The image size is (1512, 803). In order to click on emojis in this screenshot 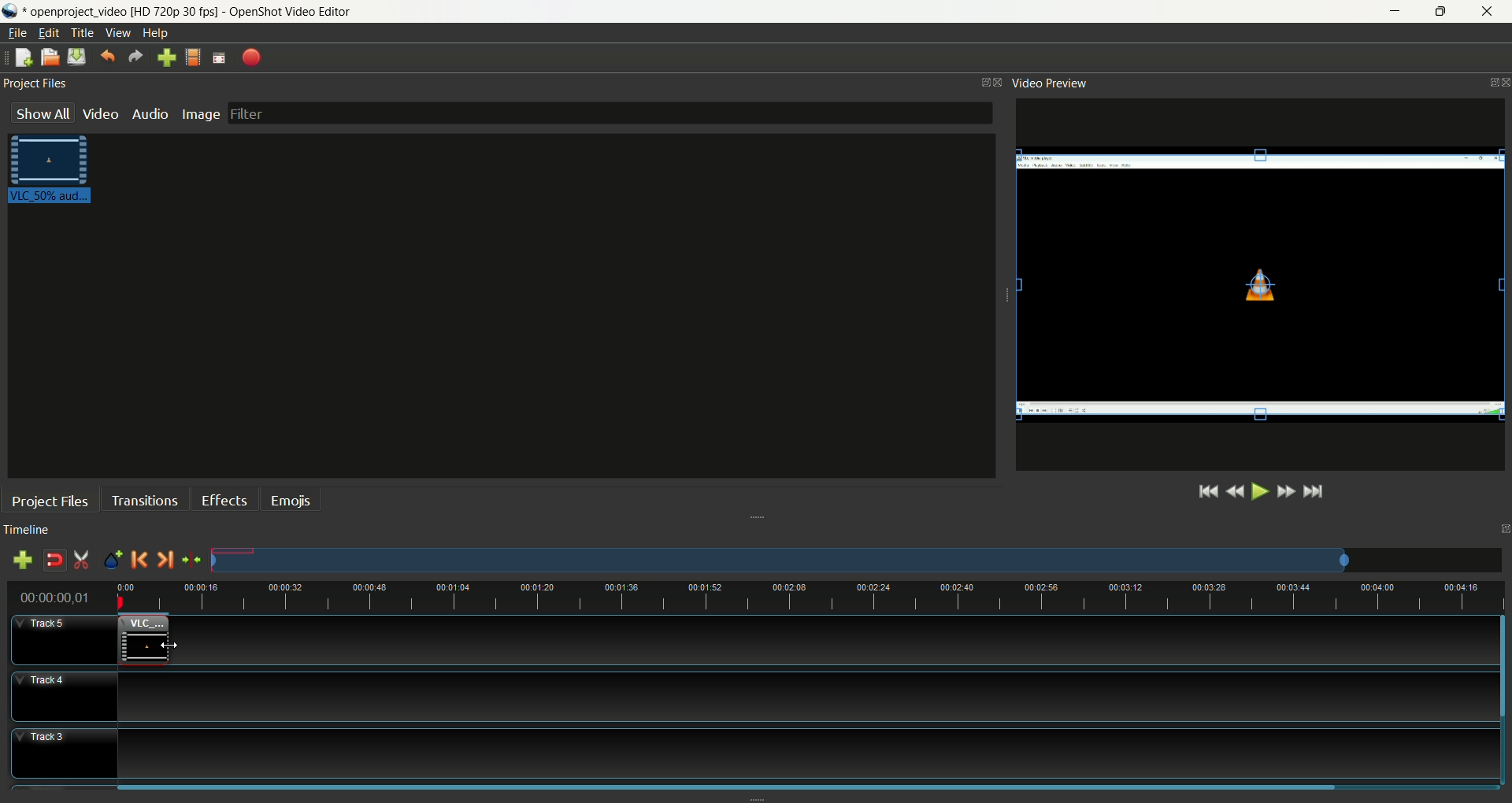, I will do `click(291, 500)`.